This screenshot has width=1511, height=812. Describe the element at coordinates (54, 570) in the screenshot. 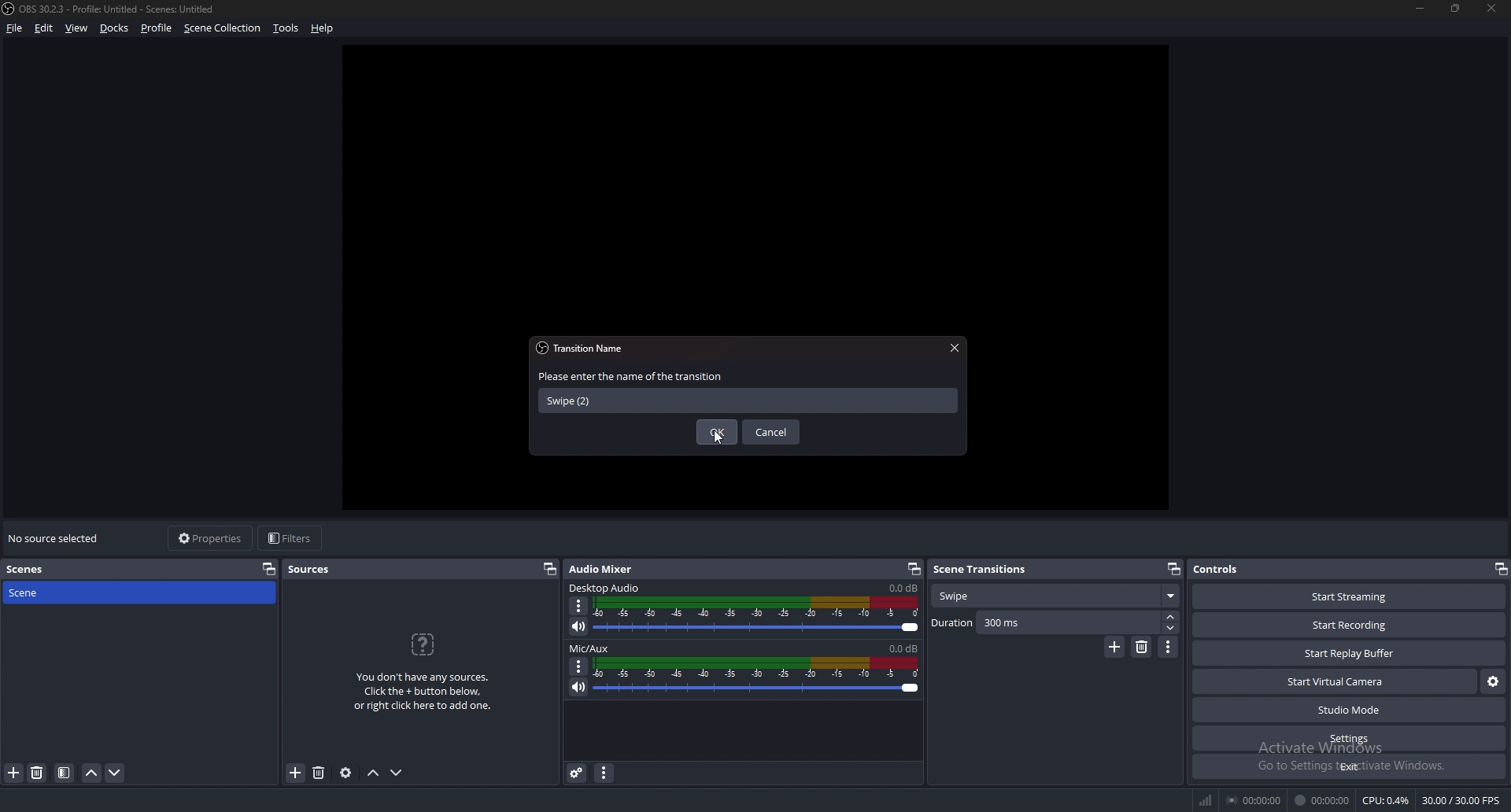

I see `scenes` at that location.